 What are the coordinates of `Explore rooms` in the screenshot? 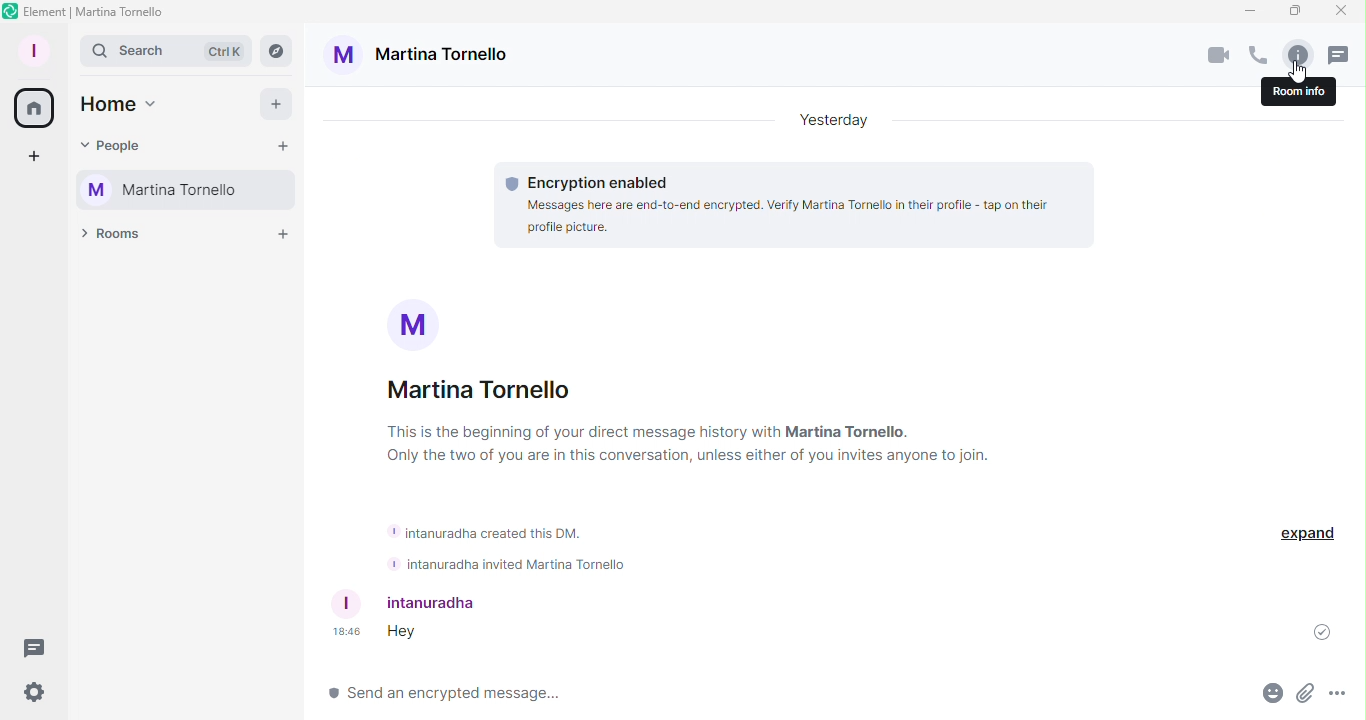 It's located at (277, 51).